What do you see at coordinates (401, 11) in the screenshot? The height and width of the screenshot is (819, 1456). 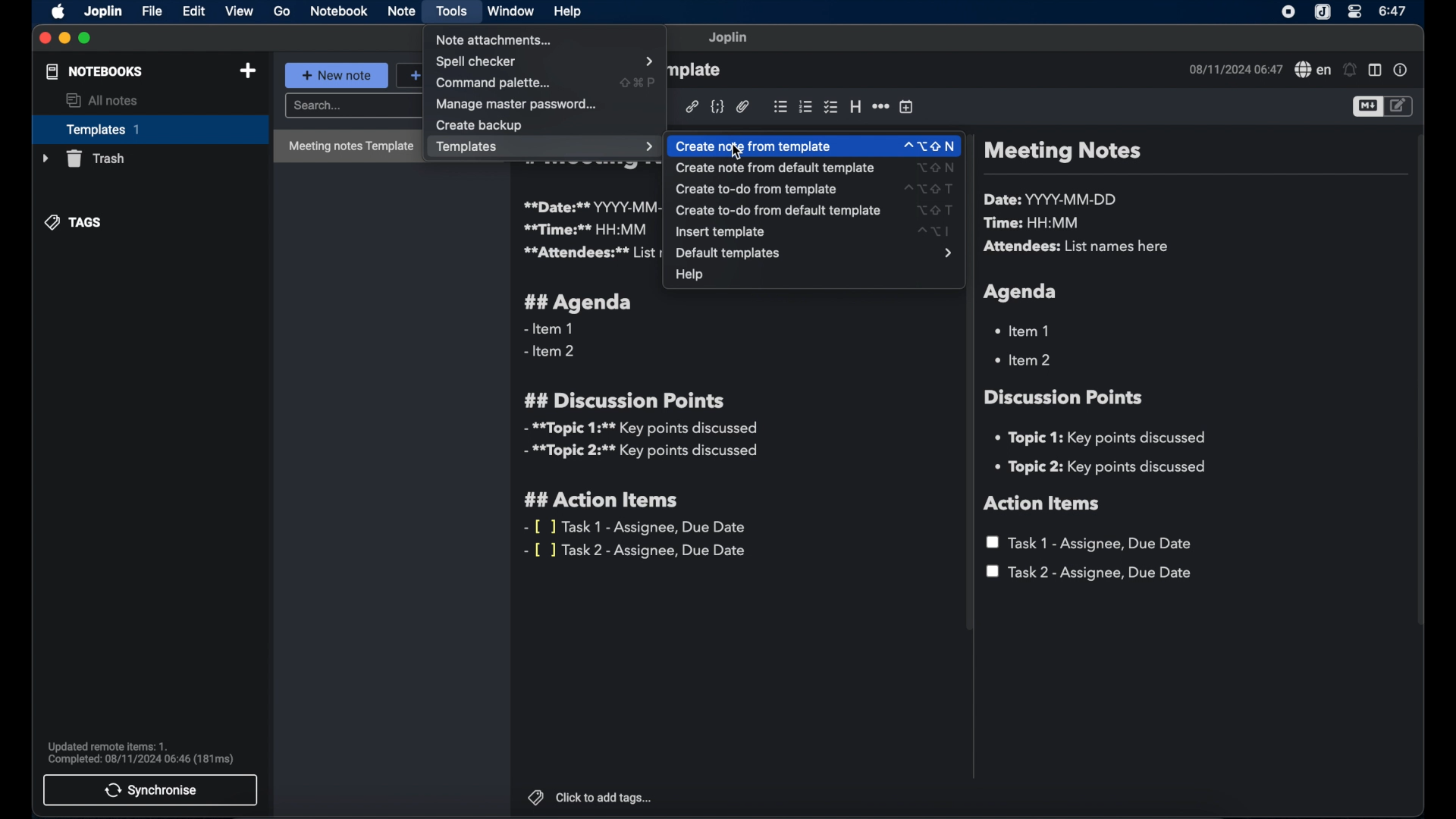 I see `note` at bounding box center [401, 11].